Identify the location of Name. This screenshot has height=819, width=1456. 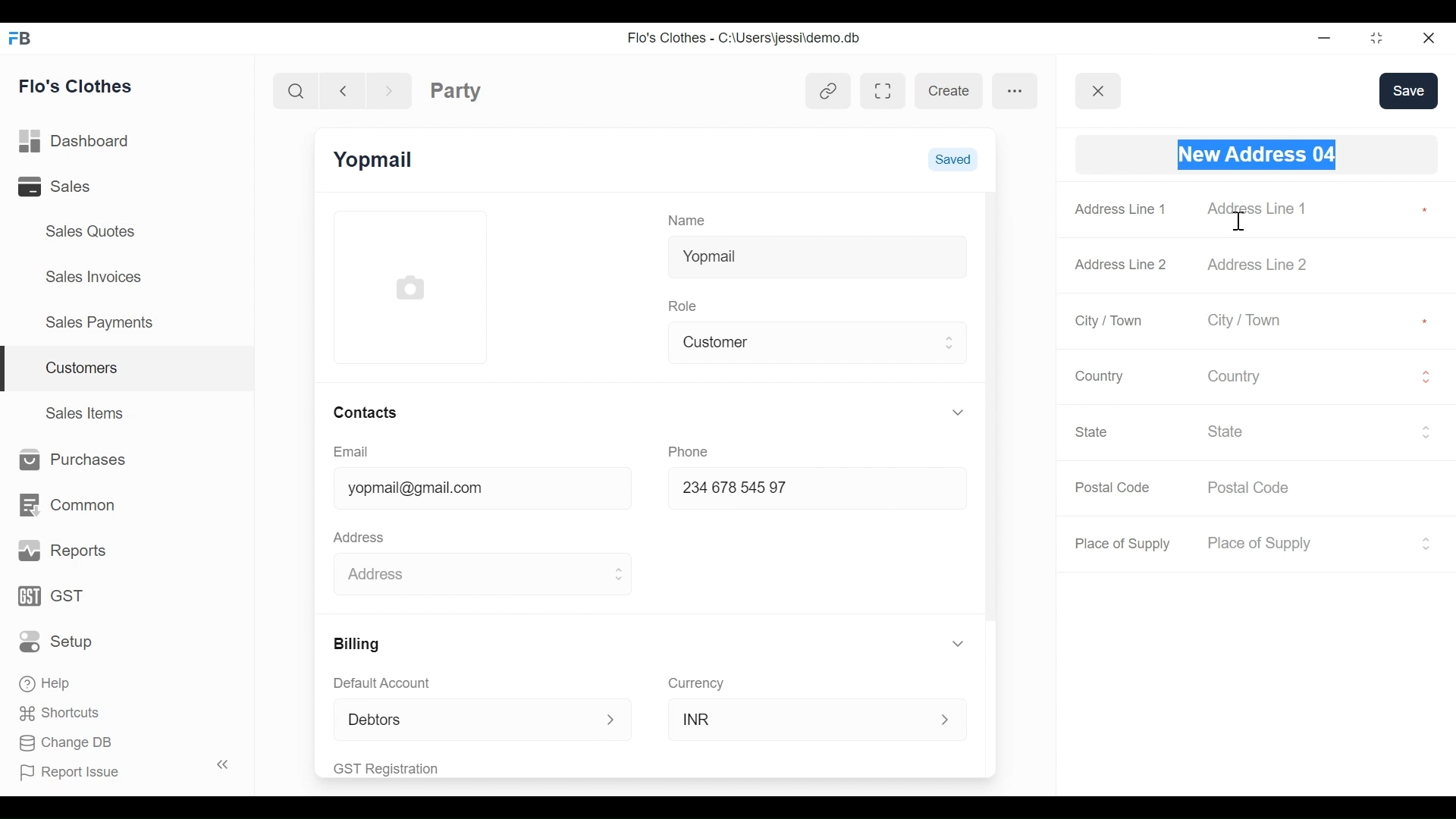
(690, 219).